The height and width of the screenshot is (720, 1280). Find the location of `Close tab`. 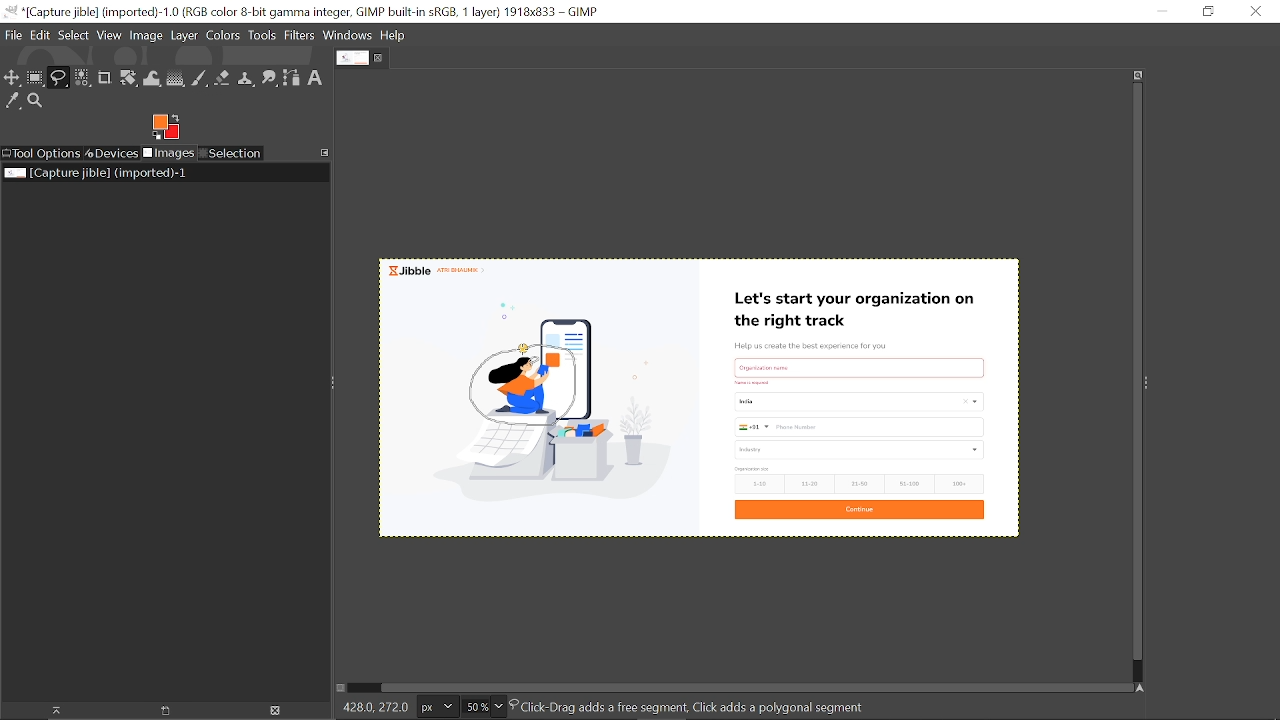

Close tab is located at coordinates (381, 58).